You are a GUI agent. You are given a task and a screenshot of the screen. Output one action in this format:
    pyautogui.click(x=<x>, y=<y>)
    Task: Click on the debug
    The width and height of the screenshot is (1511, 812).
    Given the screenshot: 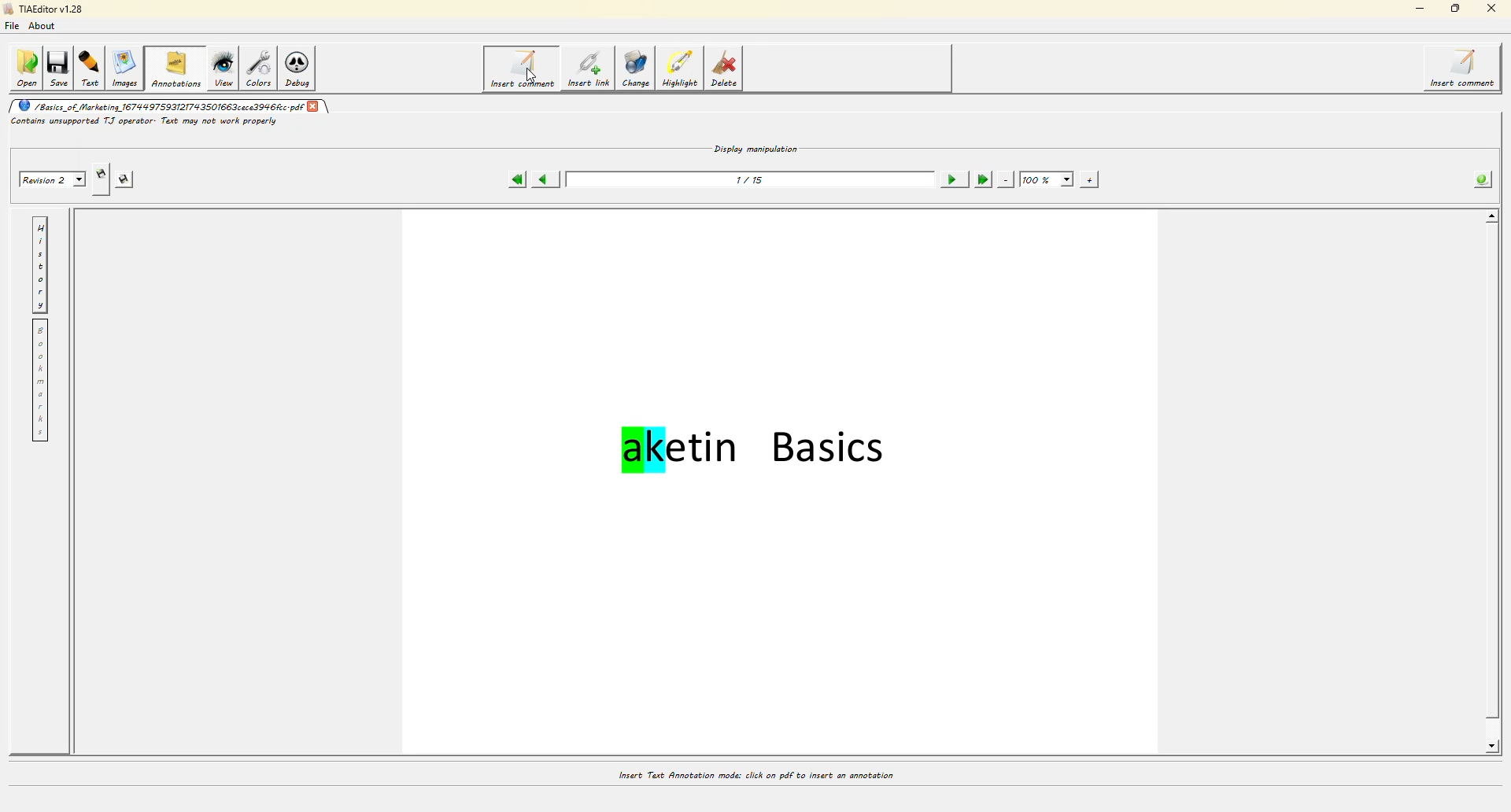 What is the action you would take?
    pyautogui.click(x=302, y=70)
    